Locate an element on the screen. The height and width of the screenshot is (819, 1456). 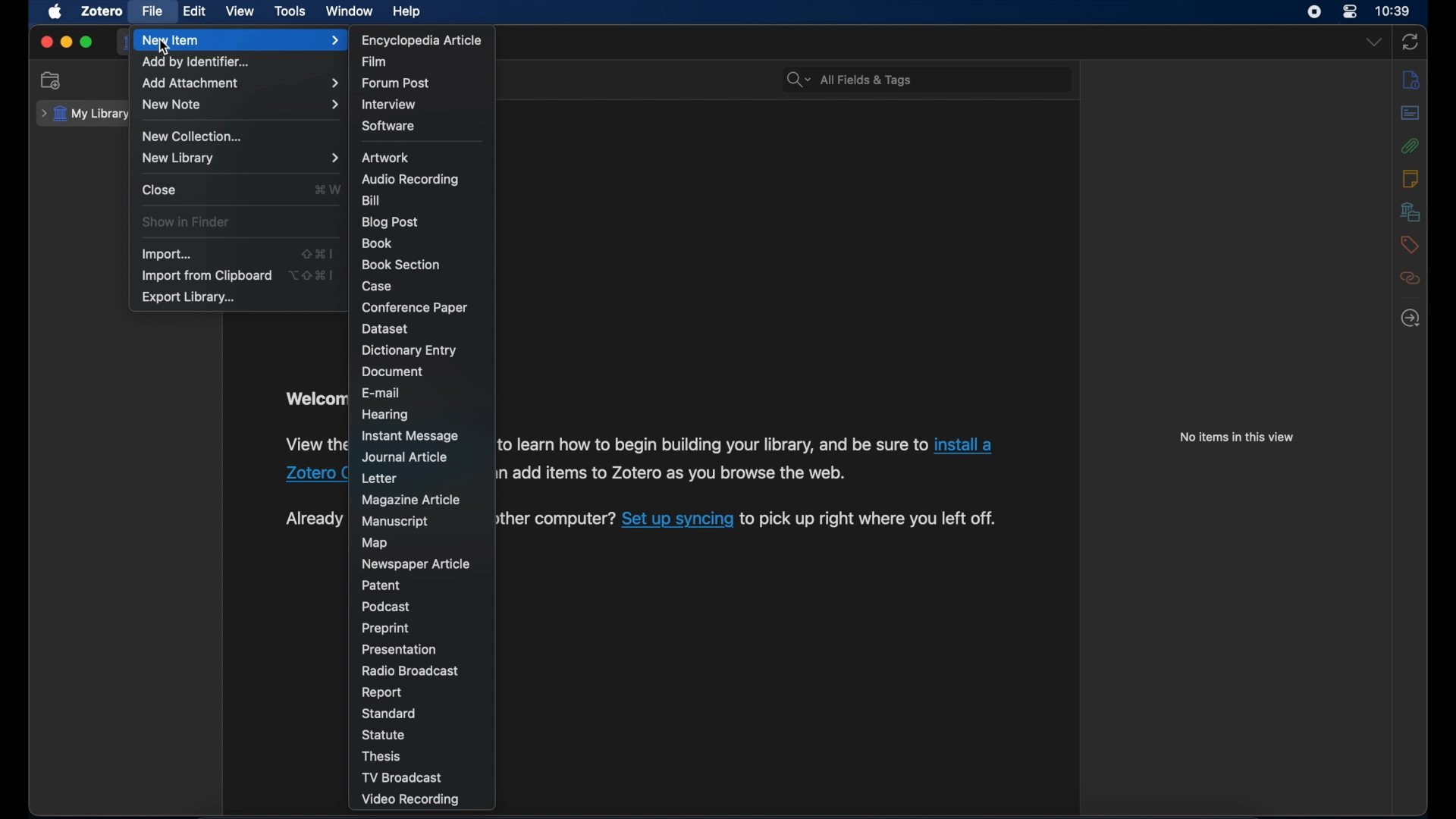
maximize is located at coordinates (87, 42).